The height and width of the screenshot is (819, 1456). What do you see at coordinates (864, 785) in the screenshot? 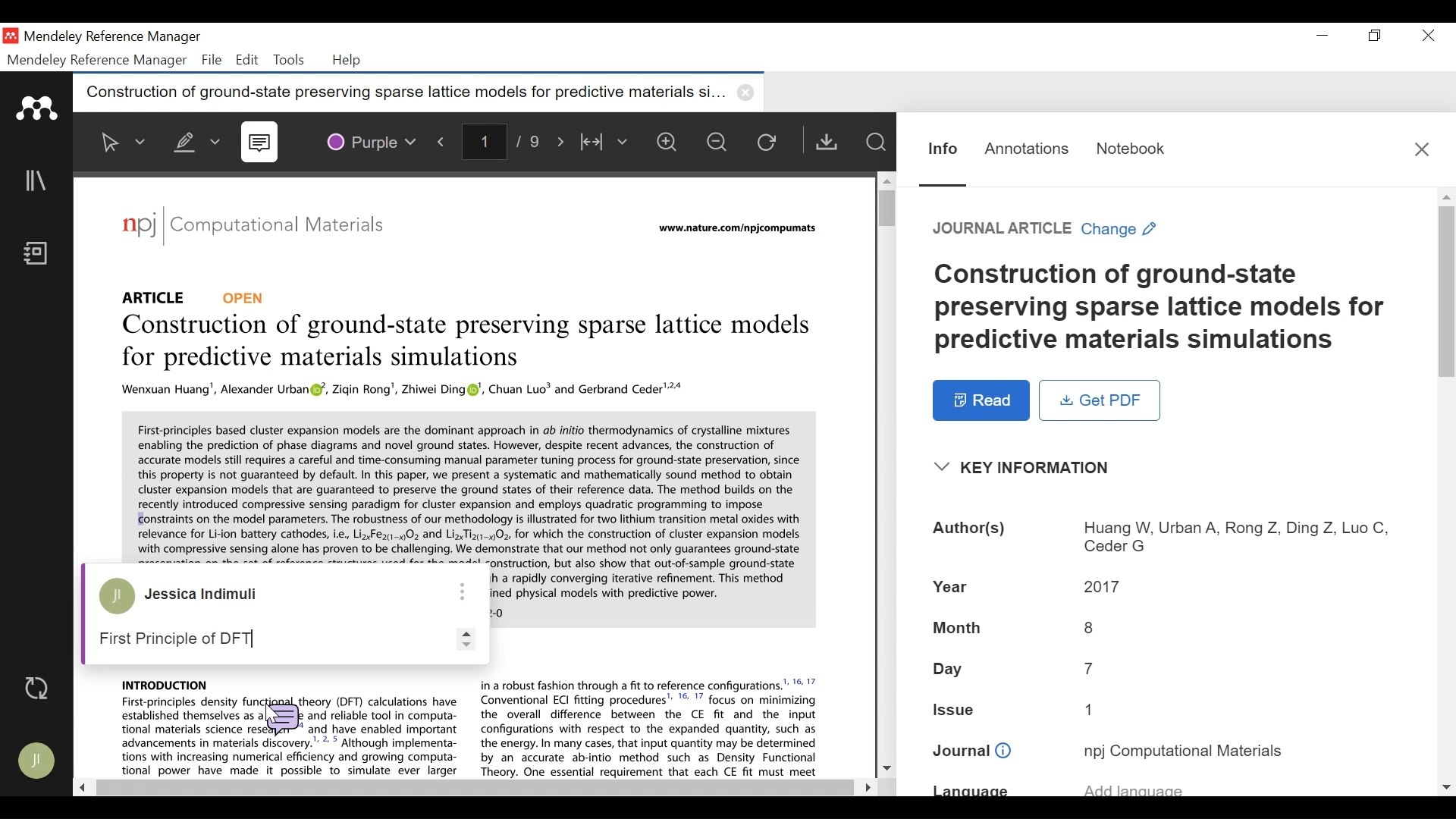
I see `Scroll Right` at bounding box center [864, 785].